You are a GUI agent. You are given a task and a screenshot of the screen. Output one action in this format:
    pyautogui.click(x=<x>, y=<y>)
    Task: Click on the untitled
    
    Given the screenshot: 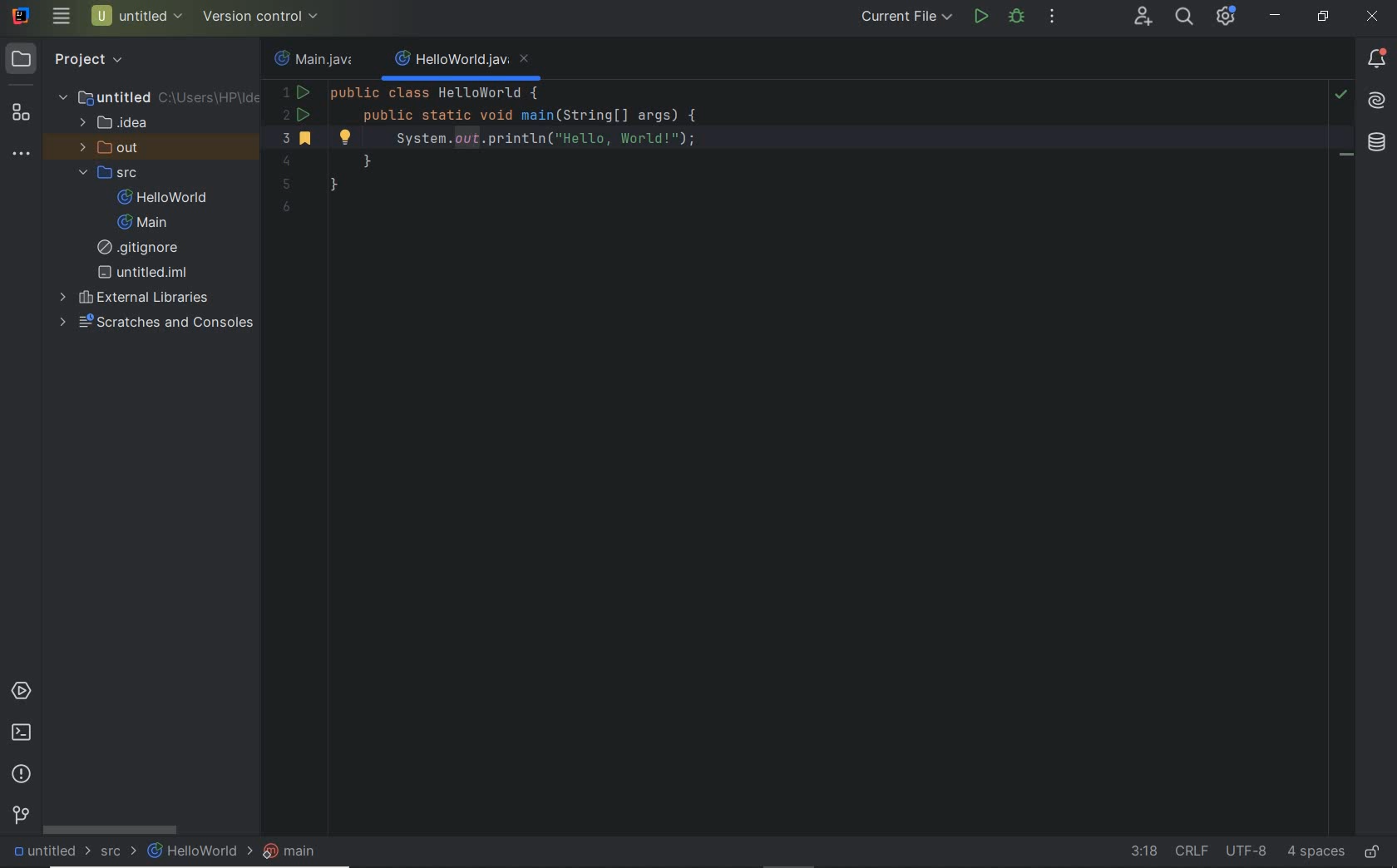 What is the action you would take?
    pyautogui.click(x=159, y=96)
    